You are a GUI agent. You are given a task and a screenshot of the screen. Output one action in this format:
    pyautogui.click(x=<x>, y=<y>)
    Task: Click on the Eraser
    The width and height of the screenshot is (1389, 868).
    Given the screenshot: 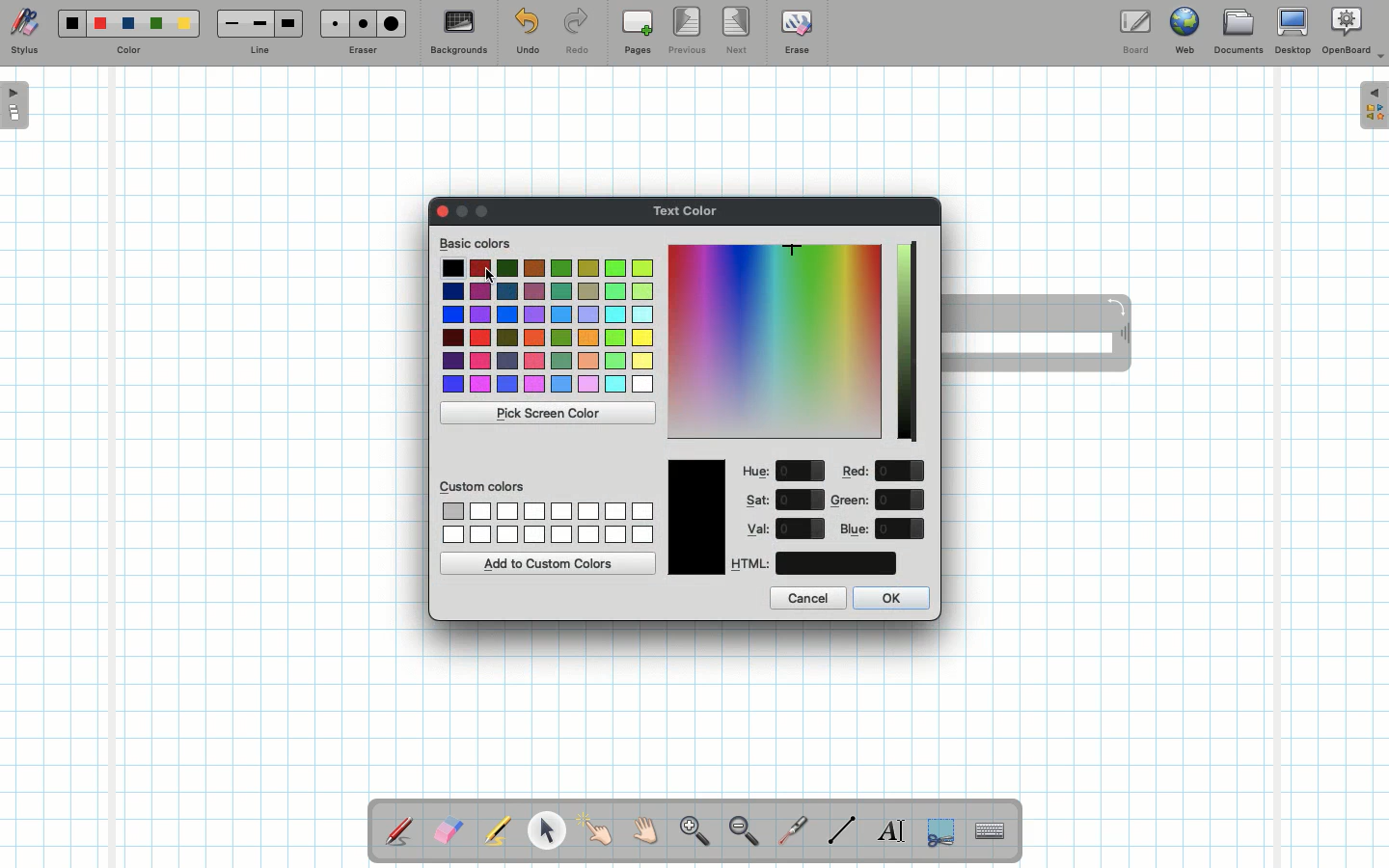 What is the action you would take?
    pyautogui.click(x=448, y=832)
    